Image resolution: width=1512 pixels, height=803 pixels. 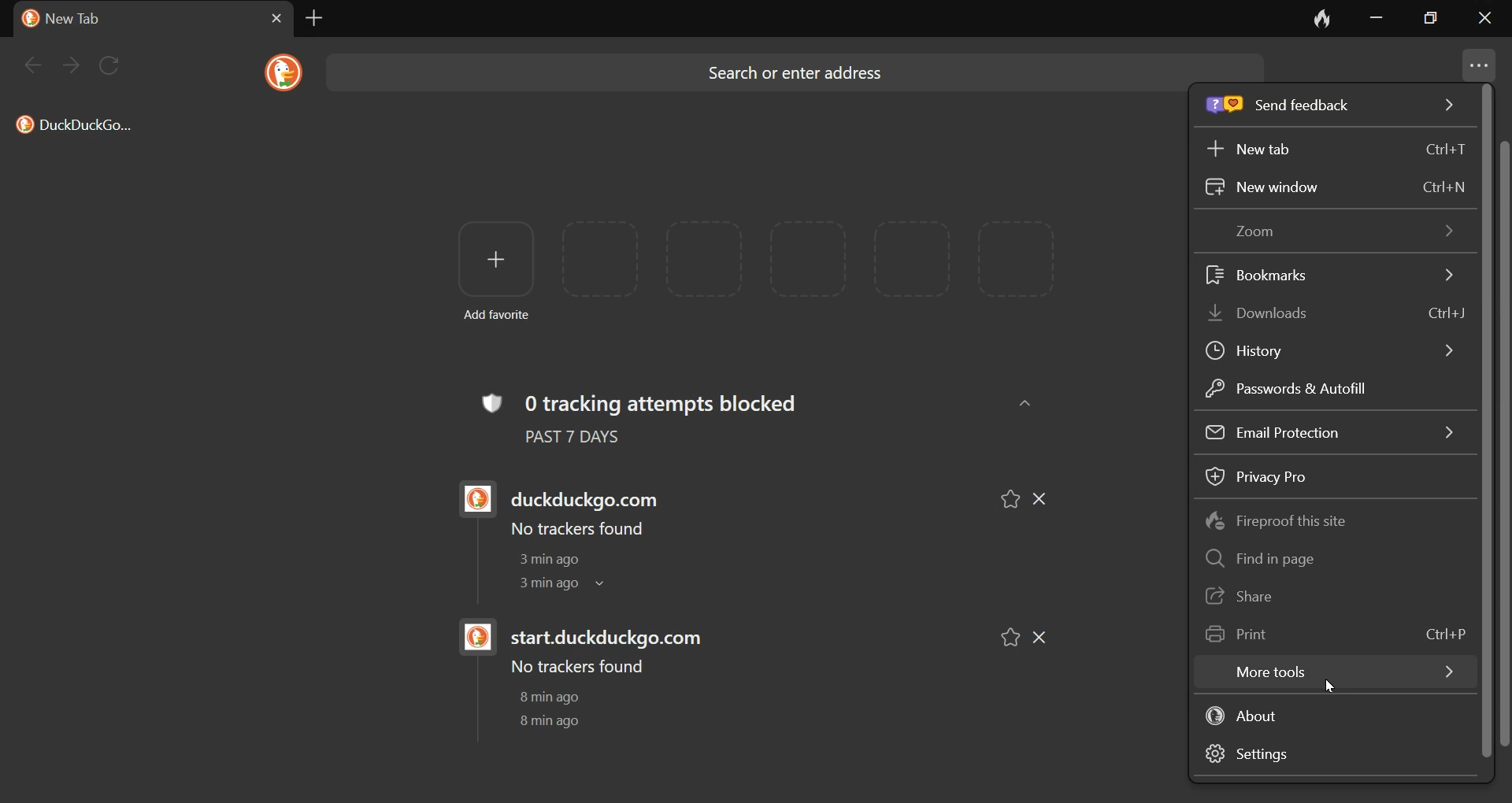 I want to click on scroll bar, so click(x=1503, y=442).